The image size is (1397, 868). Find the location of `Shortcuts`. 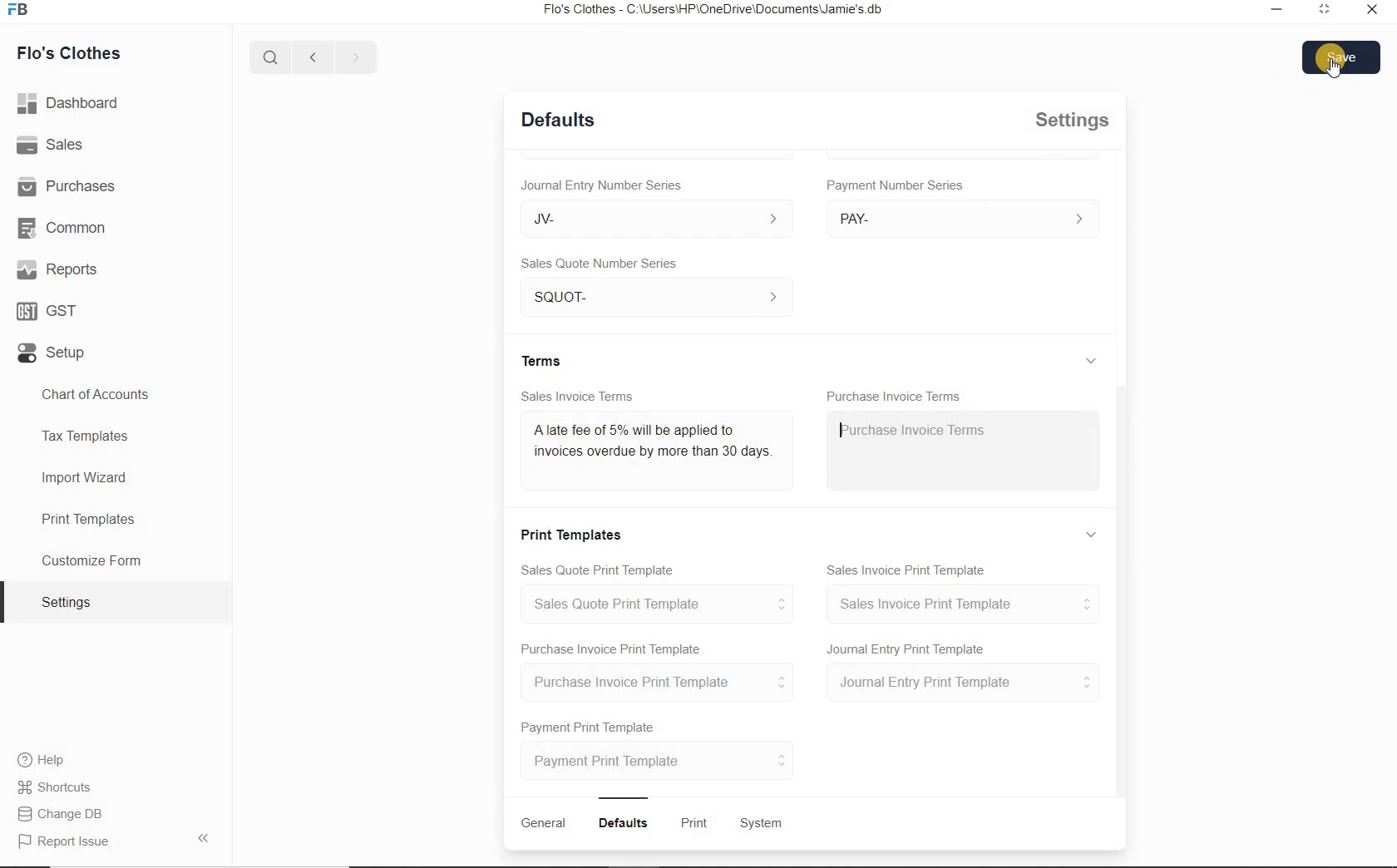

Shortcuts is located at coordinates (55, 788).